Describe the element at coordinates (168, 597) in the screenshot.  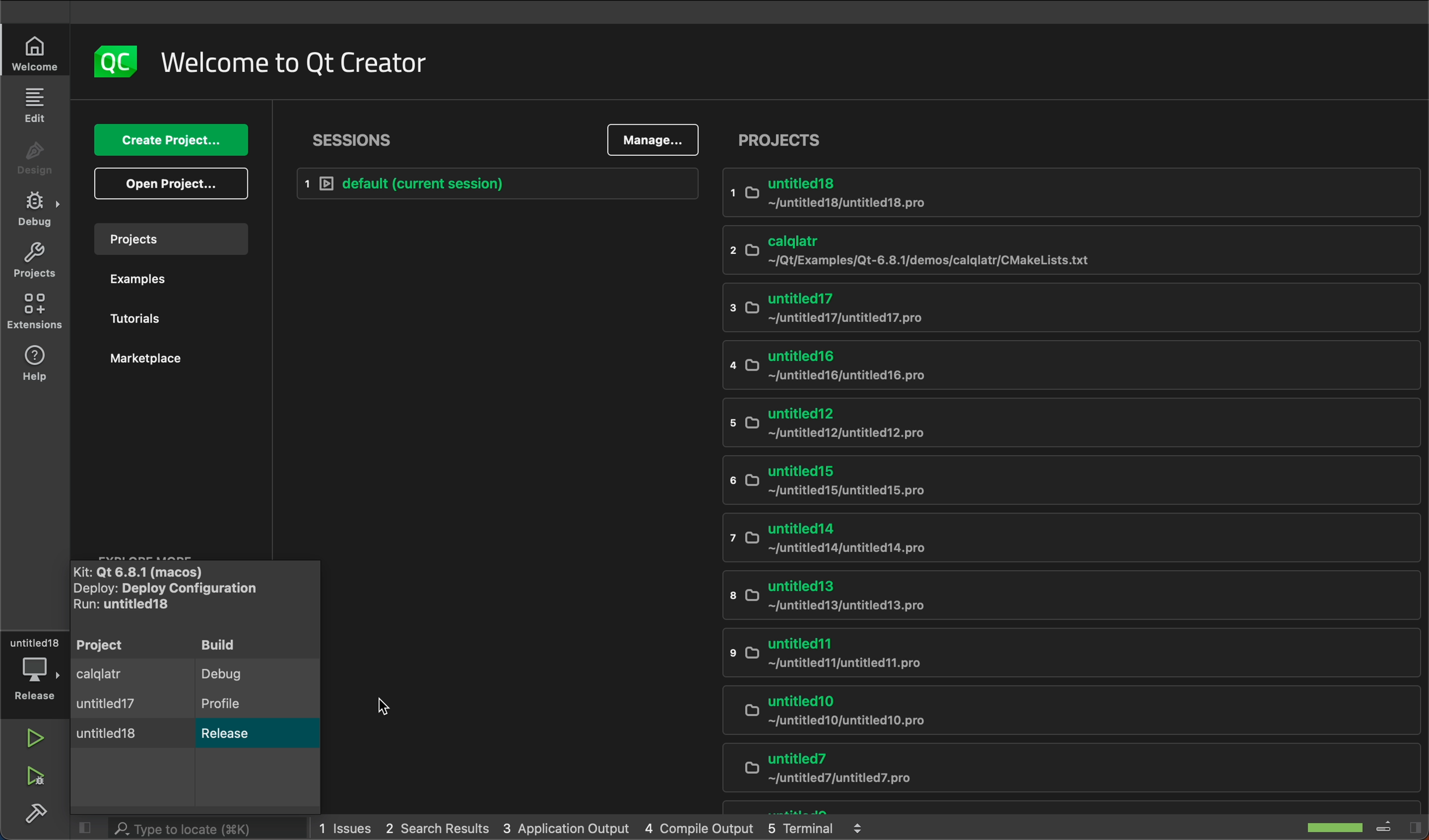
I see `deploy and run` at that location.